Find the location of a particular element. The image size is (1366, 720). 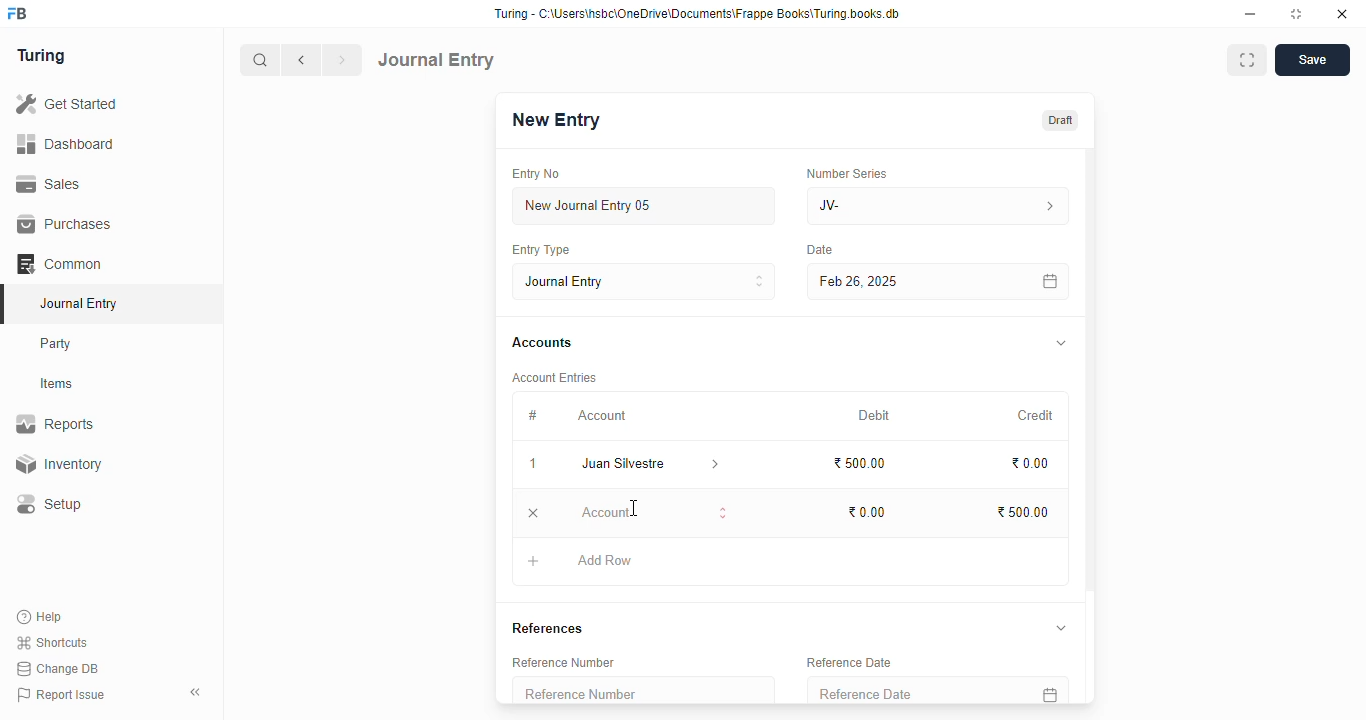

remove is located at coordinates (534, 514).